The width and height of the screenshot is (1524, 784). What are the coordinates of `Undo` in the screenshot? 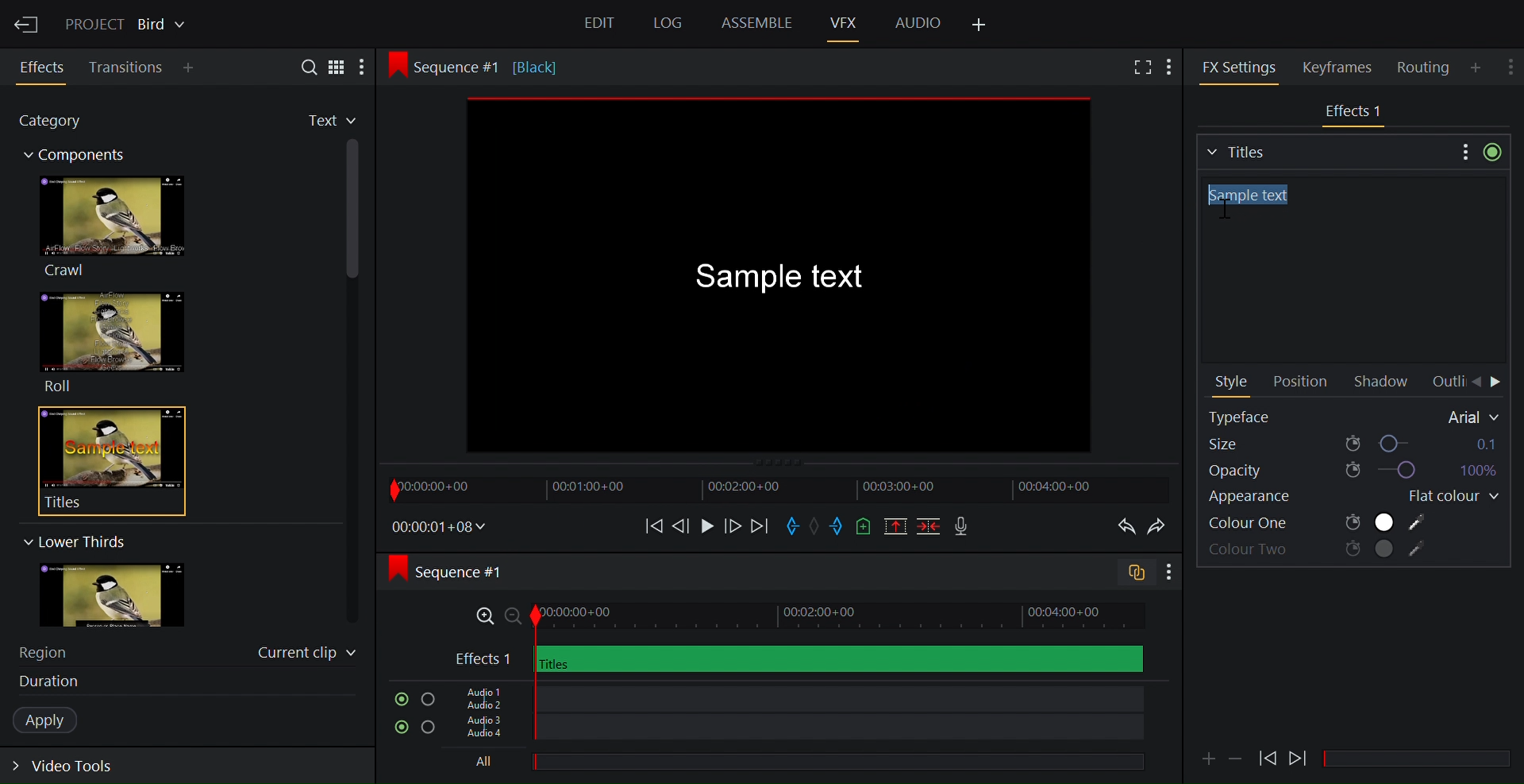 It's located at (1122, 527).